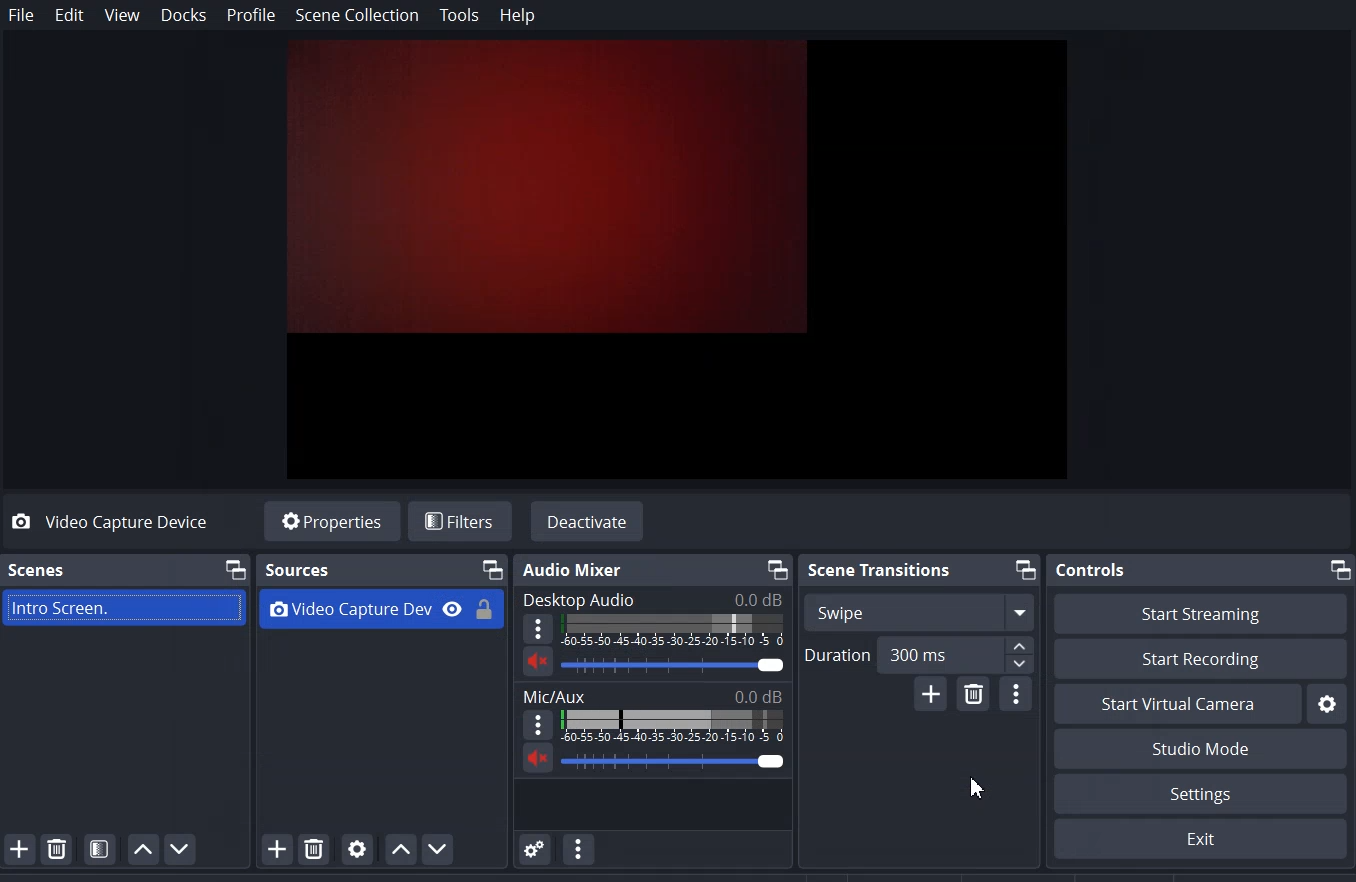 The image size is (1356, 882). I want to click on Volume Indicator, so click(672, 726).